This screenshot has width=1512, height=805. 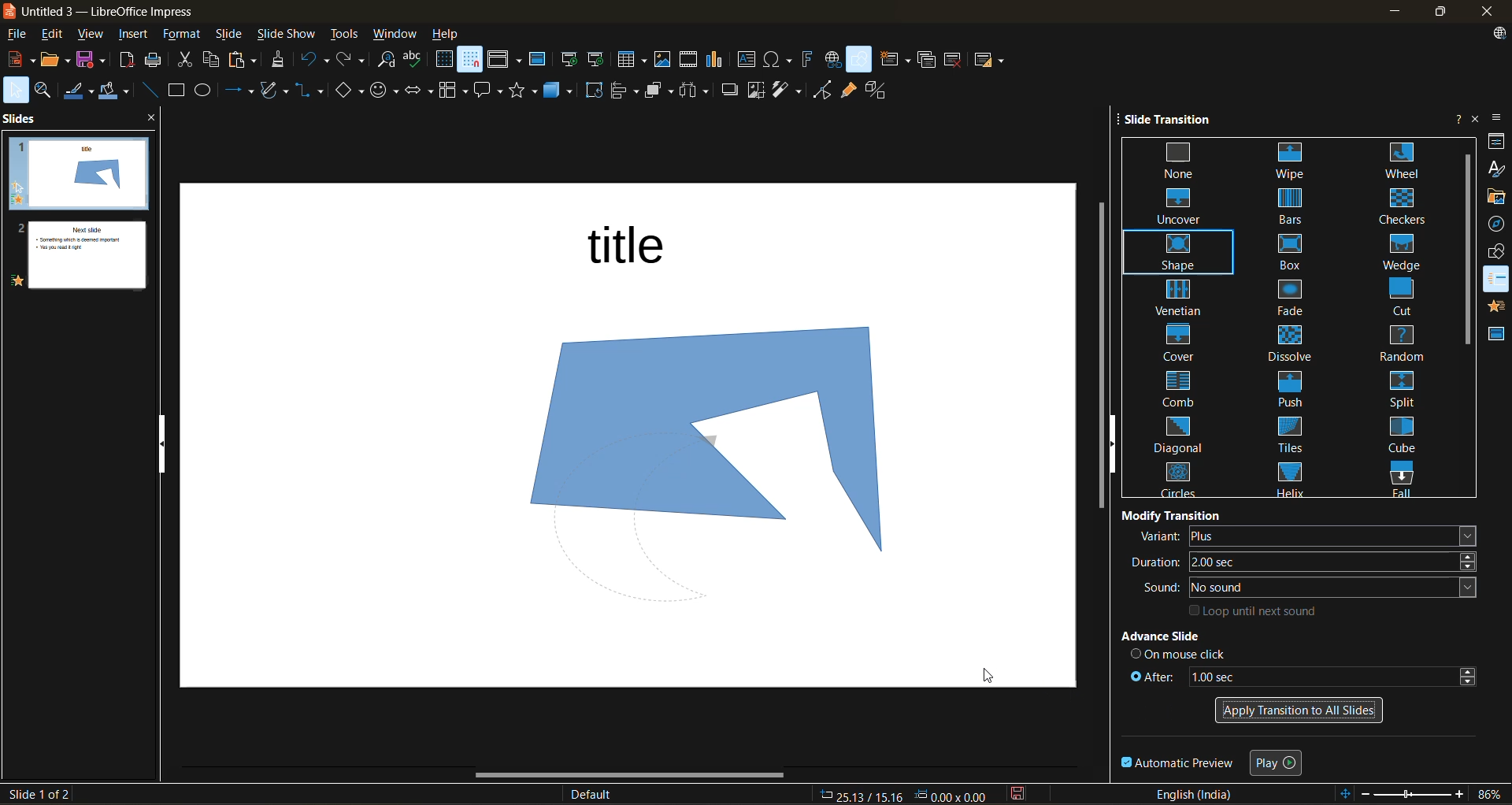 I want to click on slides, so click(x=22, y=121).